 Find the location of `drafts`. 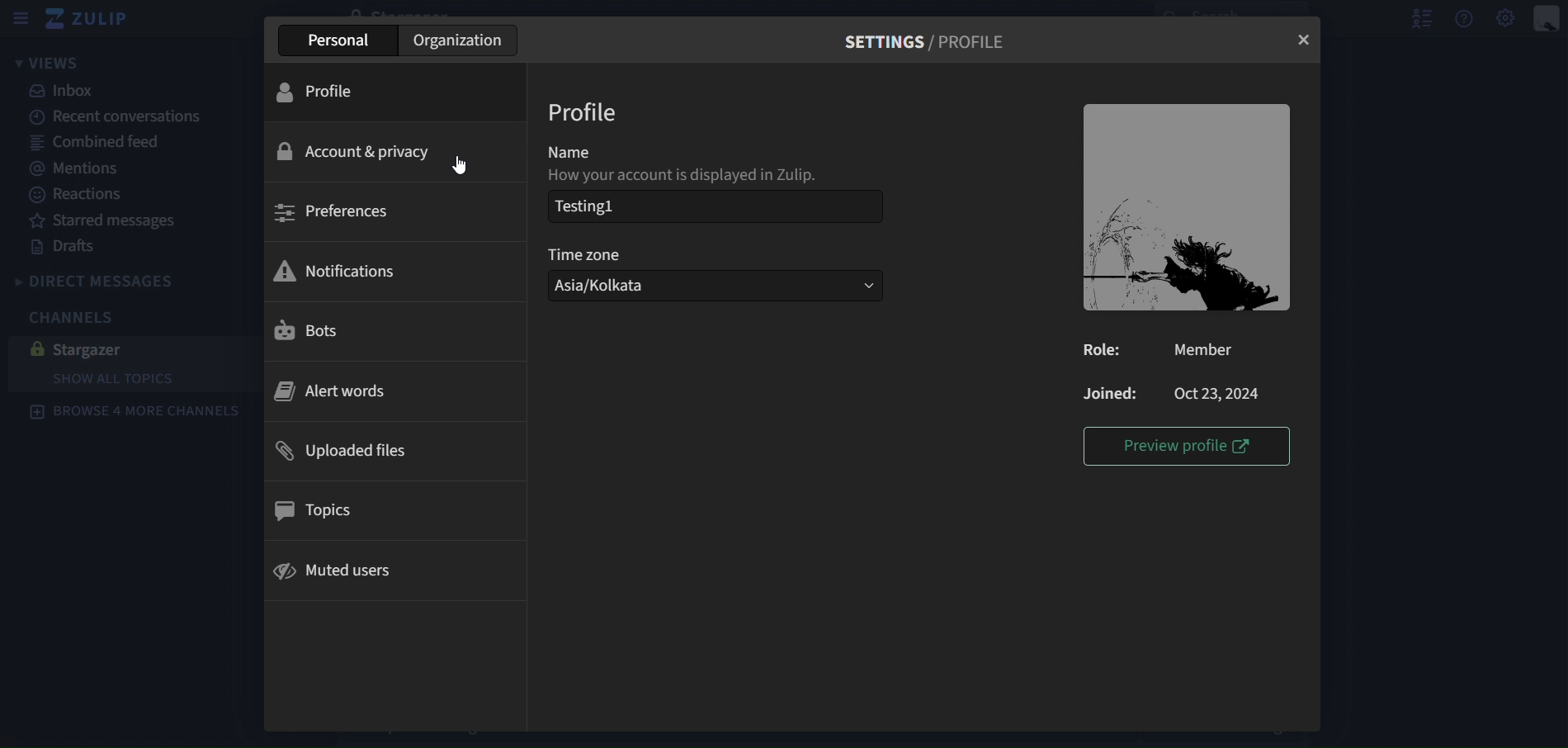

drafts is located at coordinates (61, 249).